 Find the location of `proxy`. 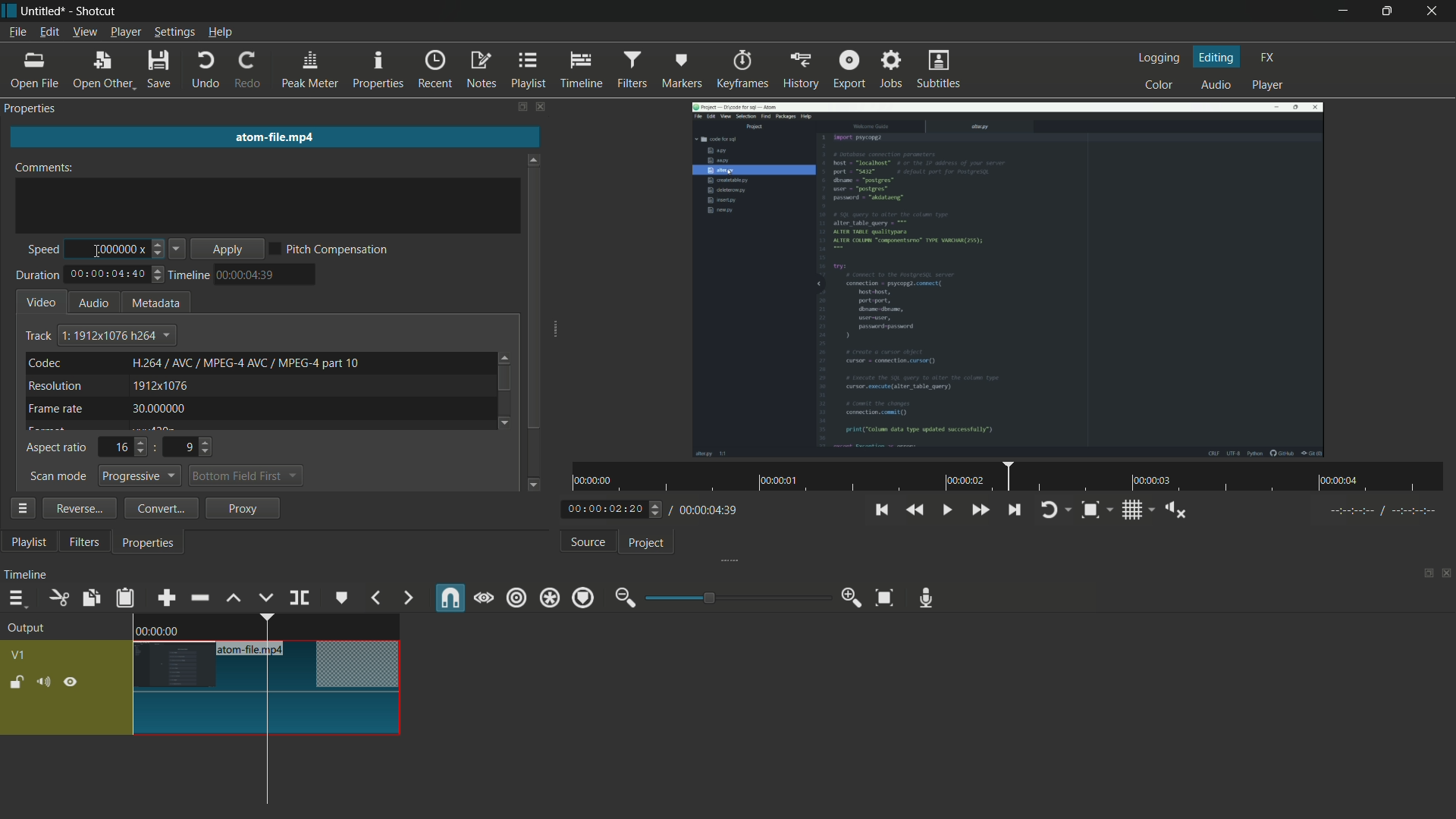

proxy is located at coordinates (241, 507).